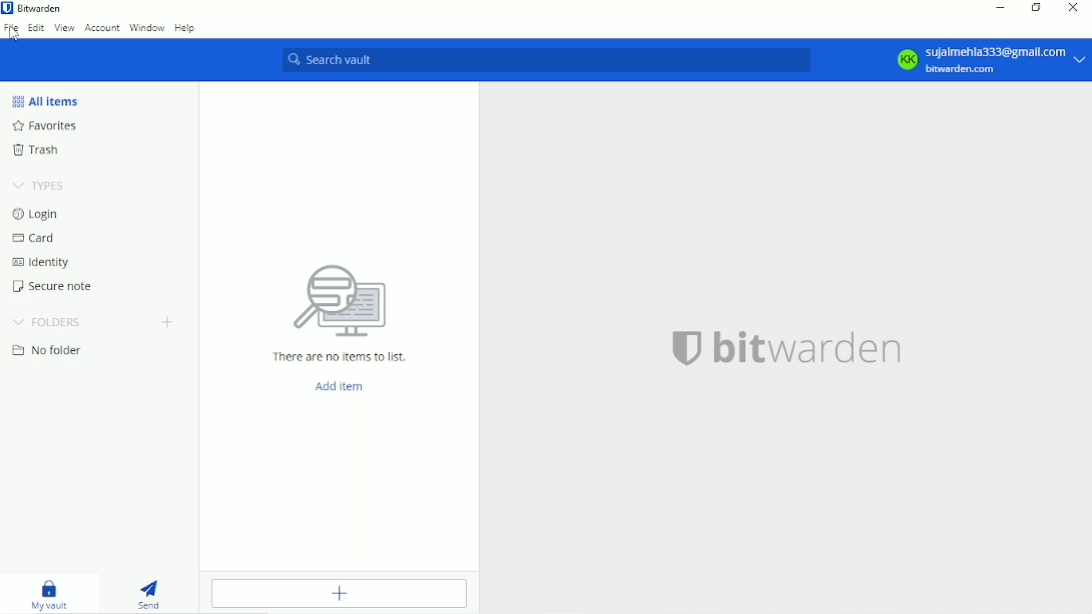  I want to click on Search vault, so click(549, 59).